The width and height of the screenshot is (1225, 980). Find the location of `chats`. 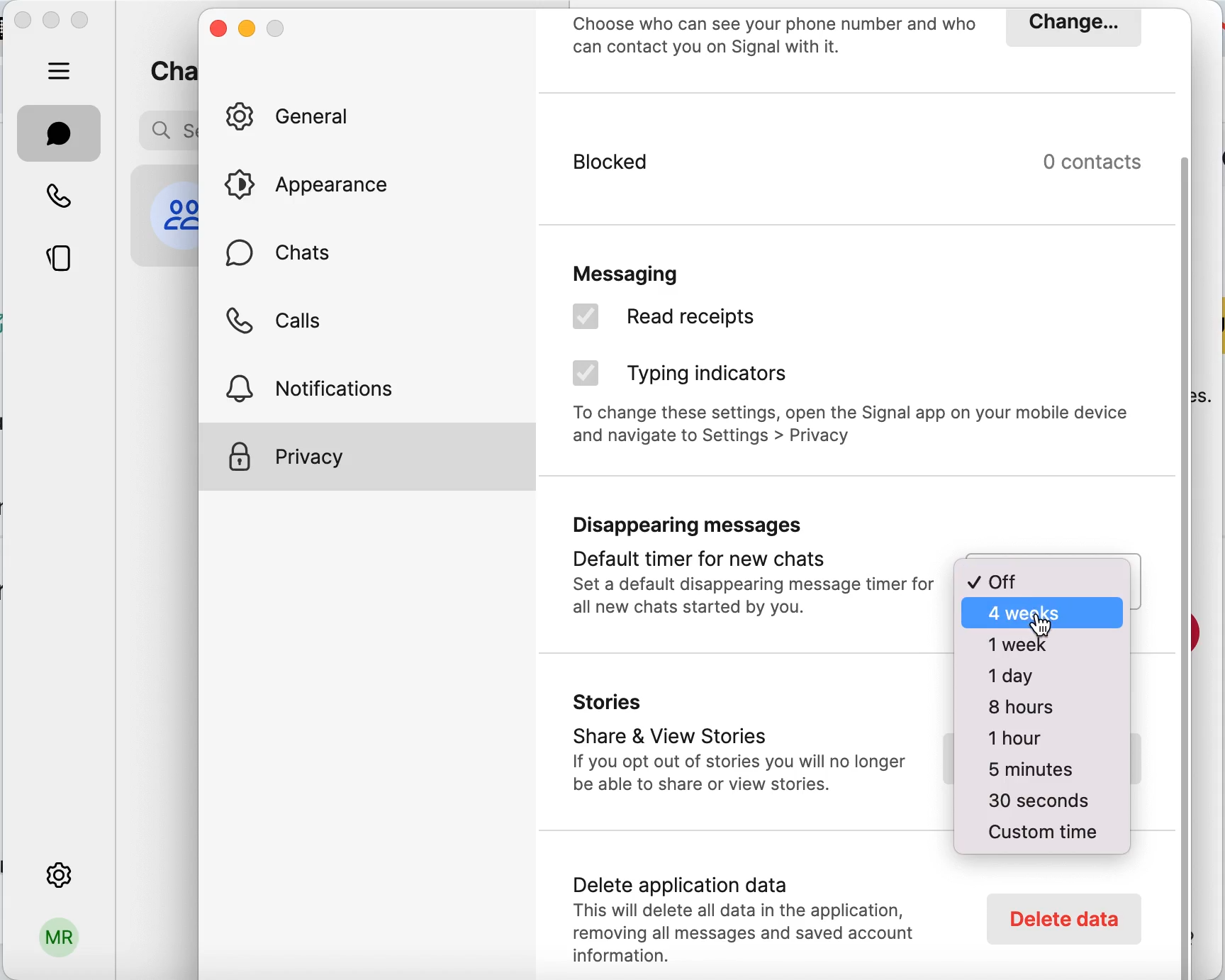

chats is located at coordinates (285, 260).